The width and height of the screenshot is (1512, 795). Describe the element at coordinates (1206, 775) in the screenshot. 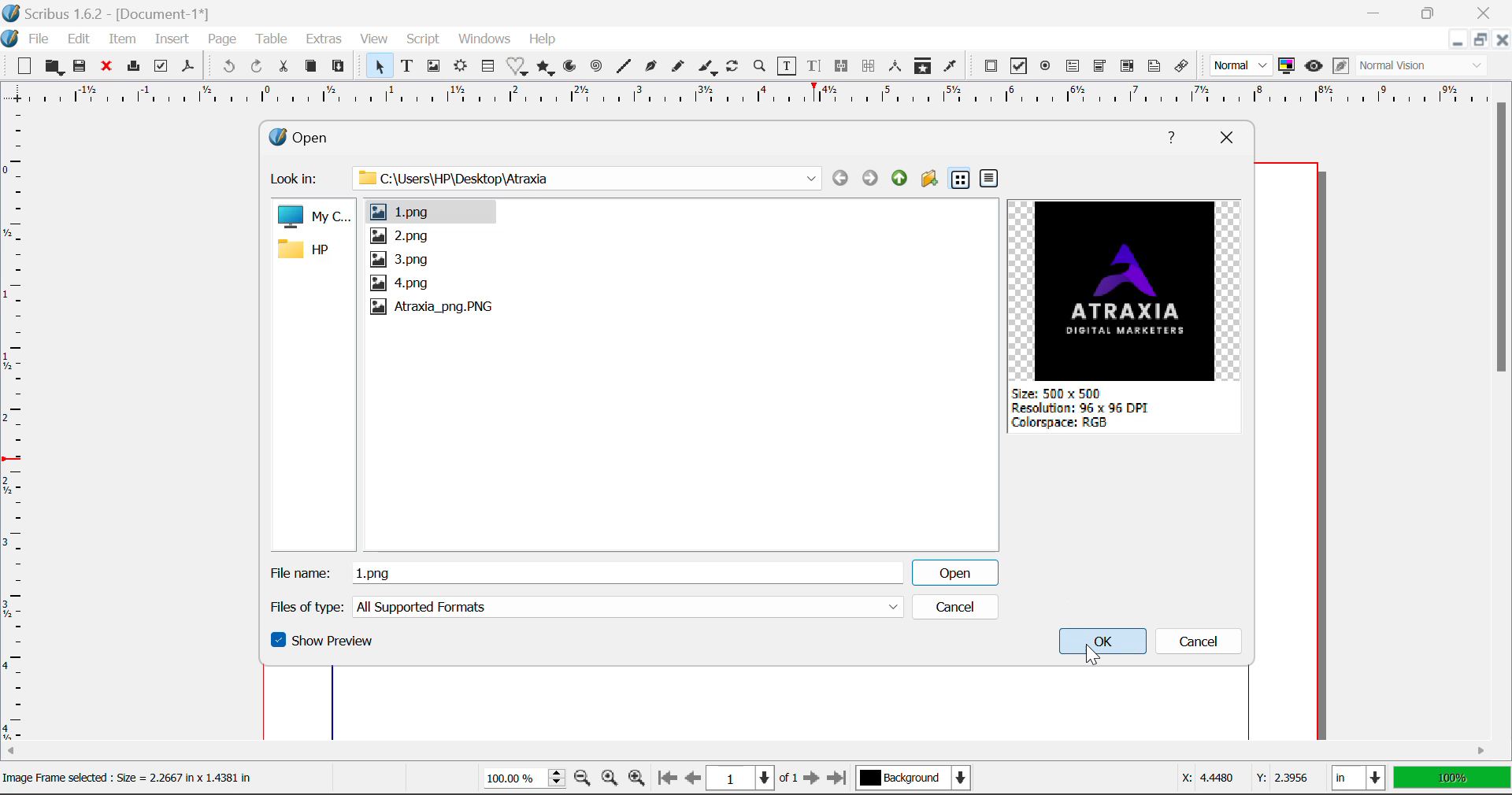

I see `X: 4.4480` at that location.